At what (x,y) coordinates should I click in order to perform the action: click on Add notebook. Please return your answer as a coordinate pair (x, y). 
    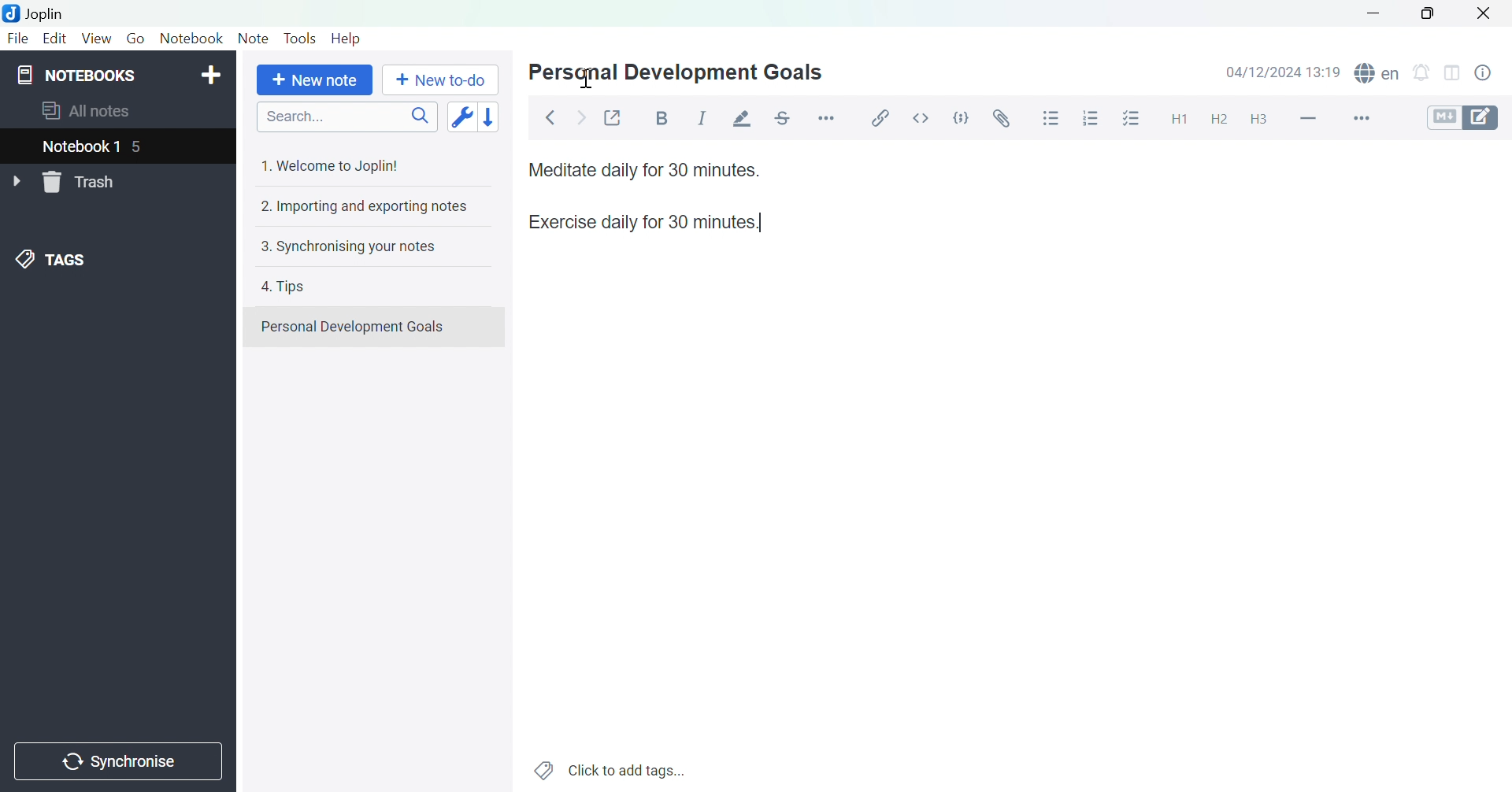
    Looking at the image, I should click on (212, 75).